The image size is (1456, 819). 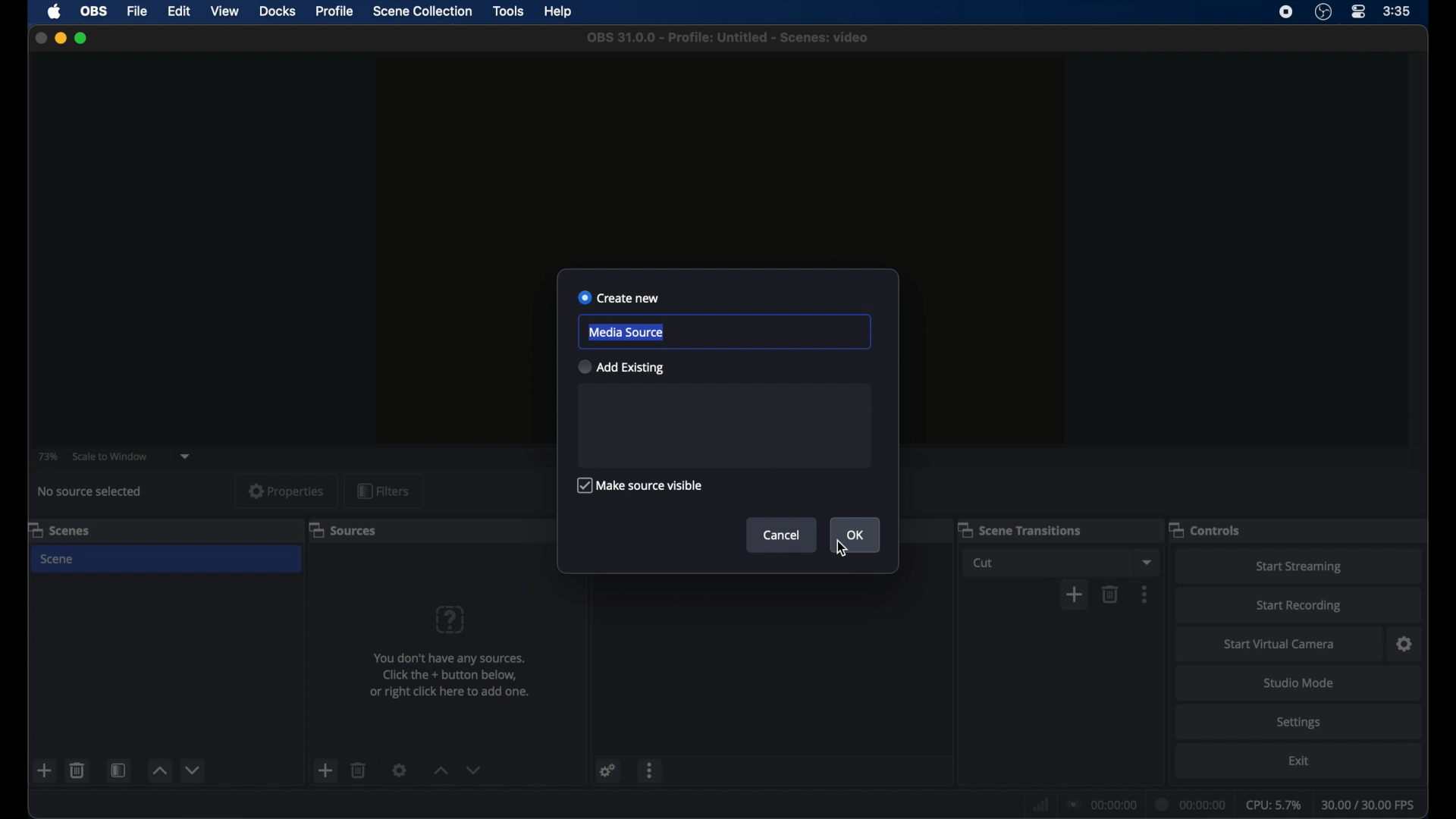 I want to click on start virtual camera, so click(x=1280, y=644).